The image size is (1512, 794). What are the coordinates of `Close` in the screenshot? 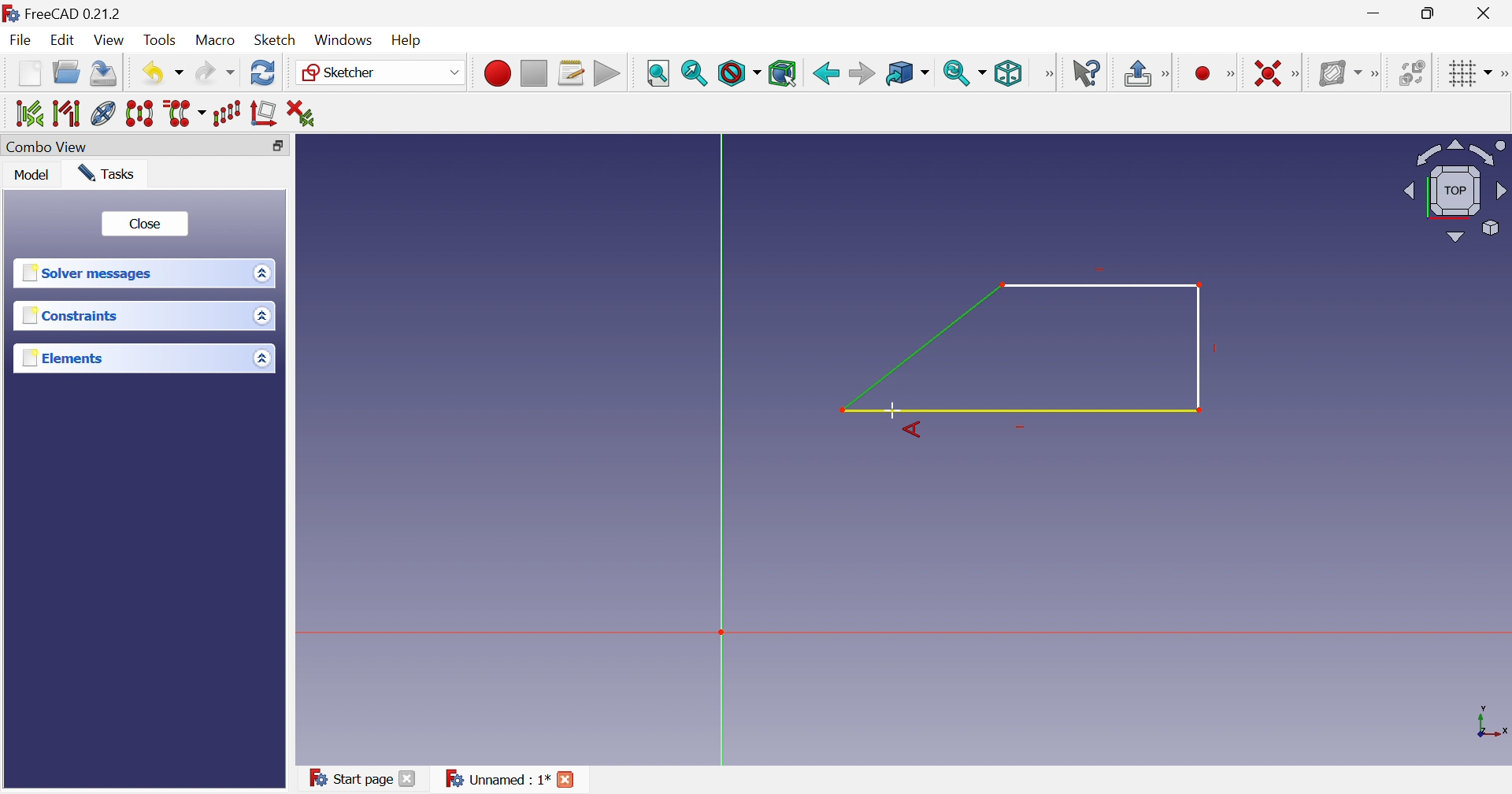 It's located at (1487, 13).